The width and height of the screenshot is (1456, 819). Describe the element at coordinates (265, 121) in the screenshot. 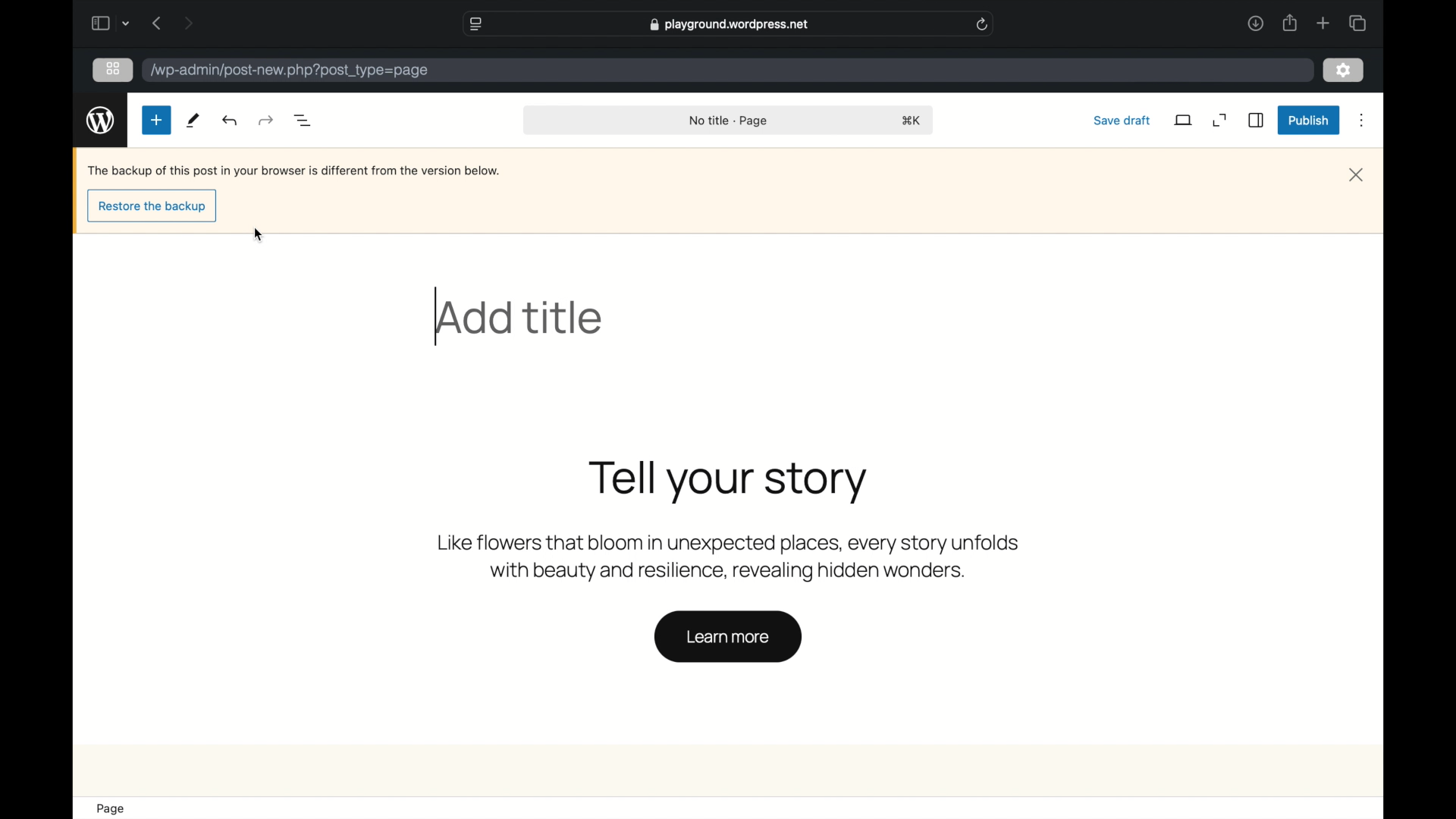

I see `undo` at that location.